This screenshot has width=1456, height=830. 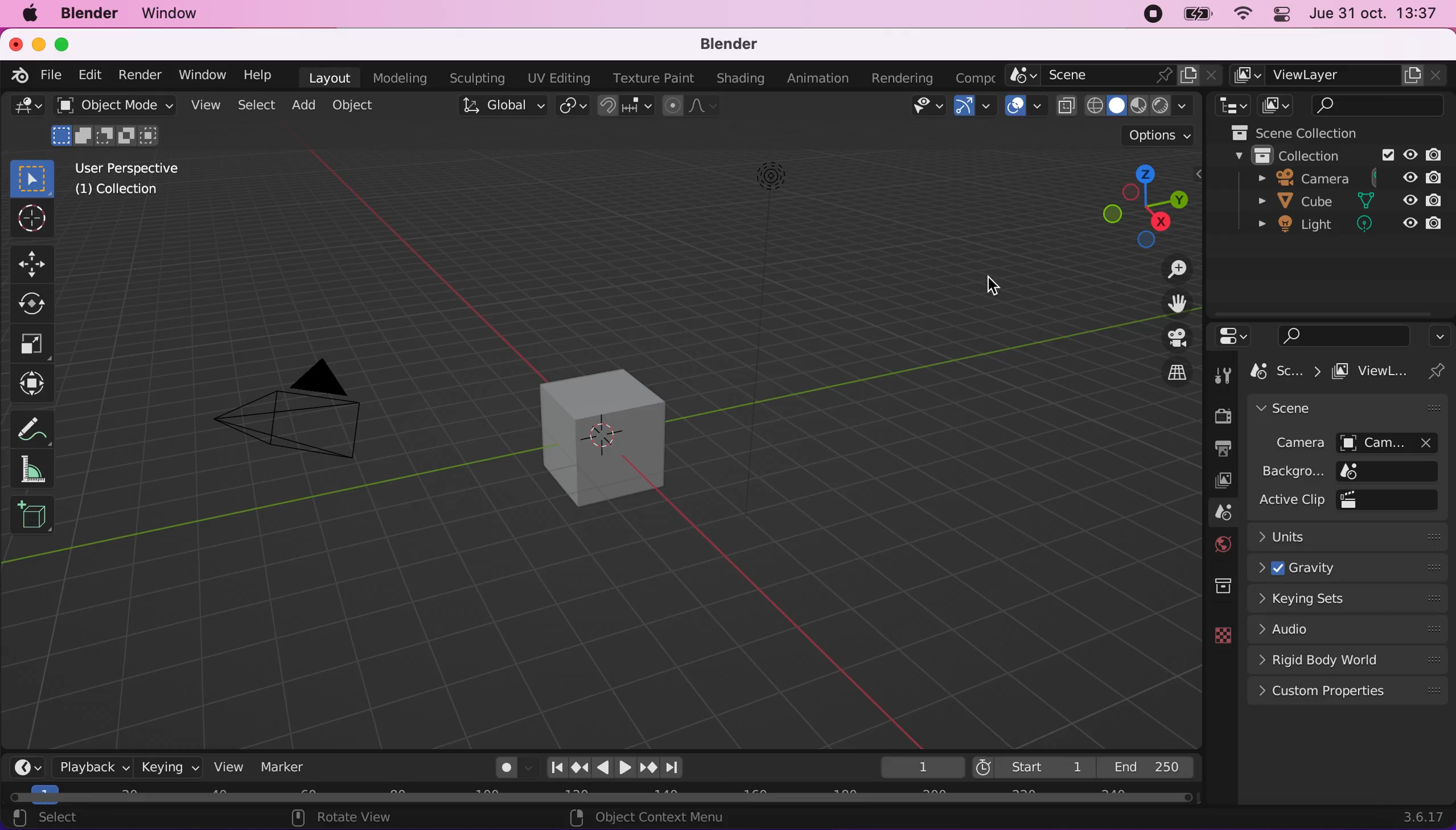 What do you see at coordinates (17, 44) in the screenshot?
I see `close` at bounding box center [17, 44].